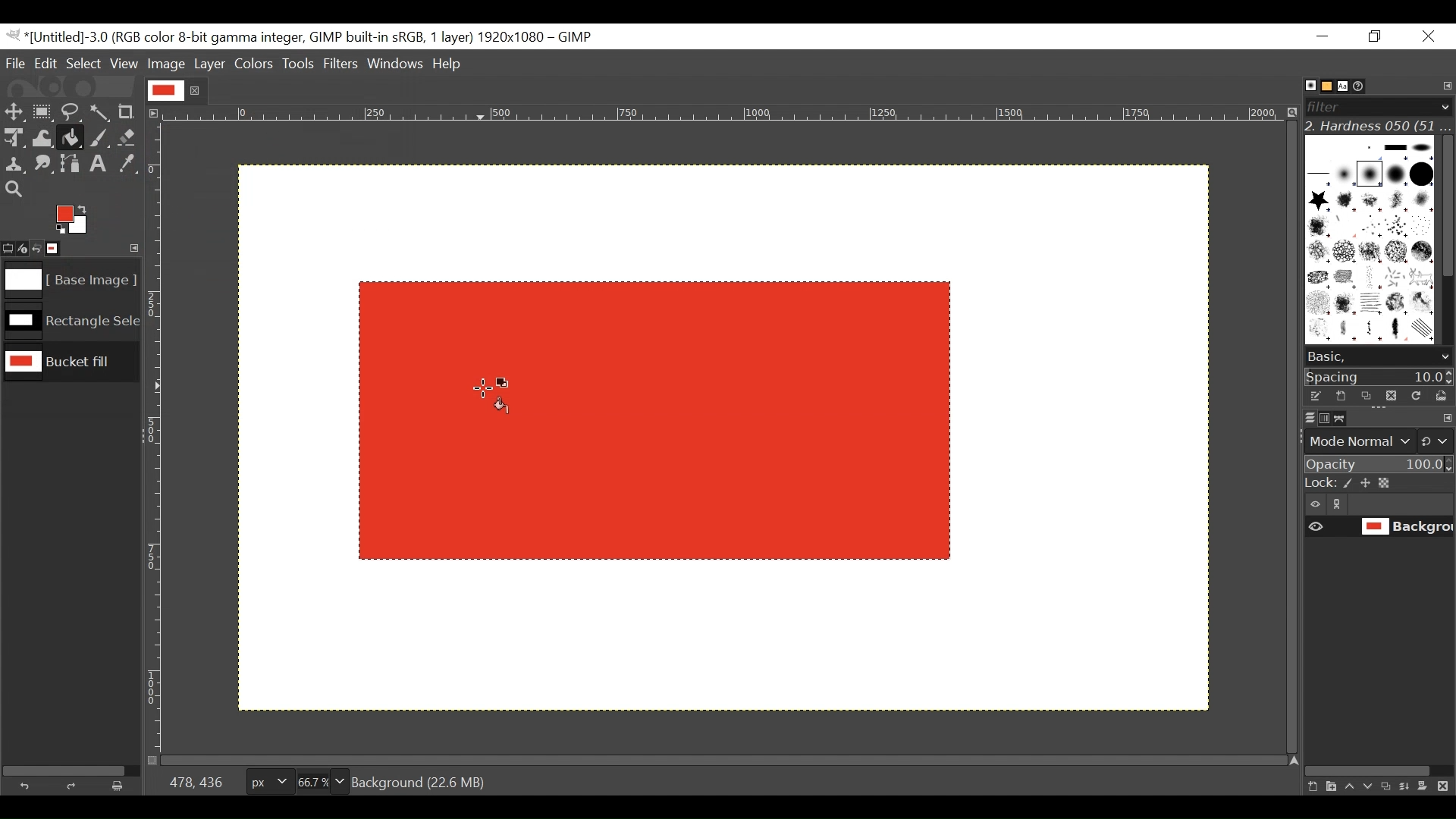 This screenshot has width=1456, height=819. What do you see at coordinates (63, 249) in the screenshot?
I see `Images` at bounding box center [63, 249].